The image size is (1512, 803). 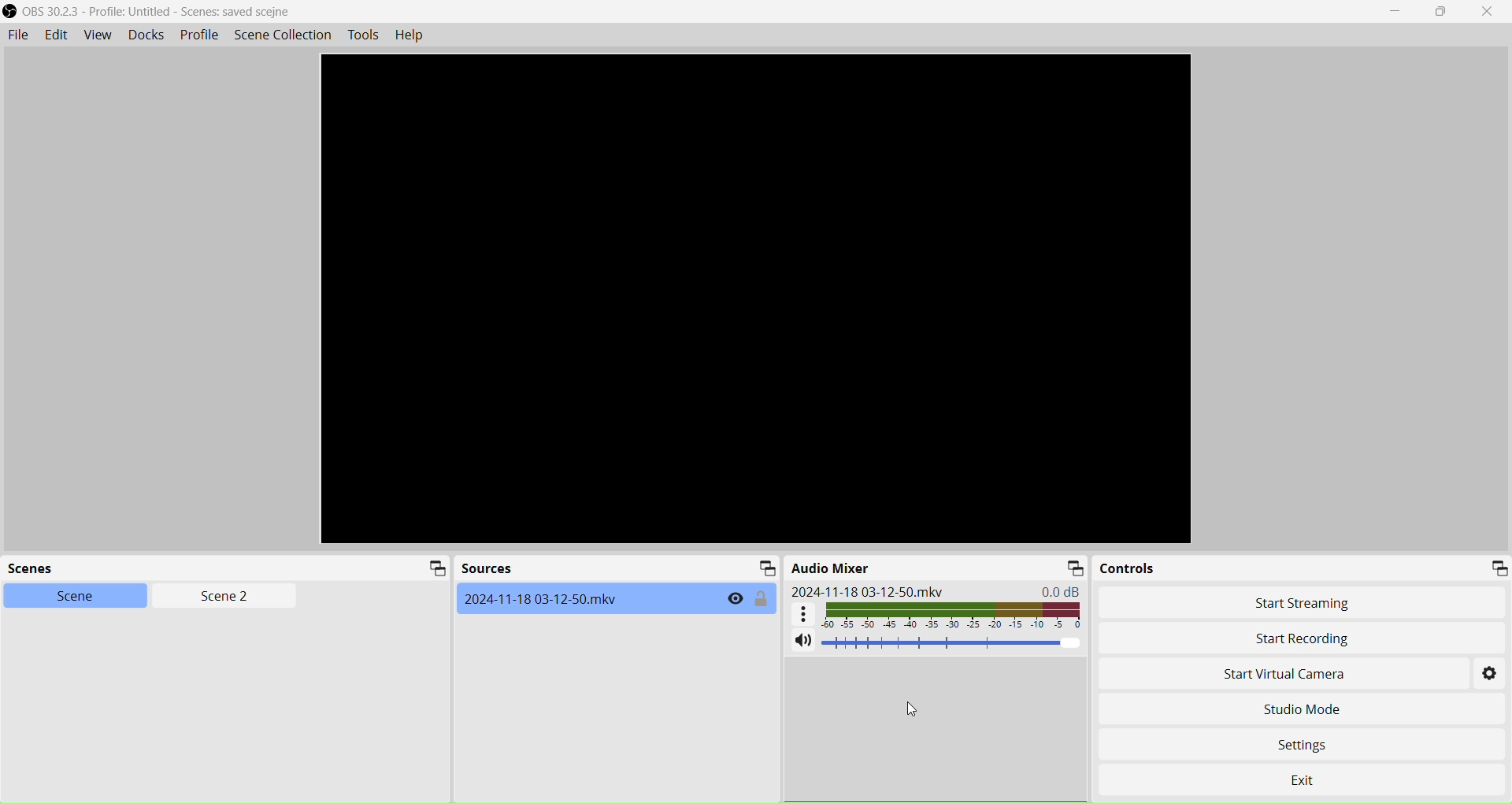 I want to click on Studio Mode, so click(x=1301, y=709).